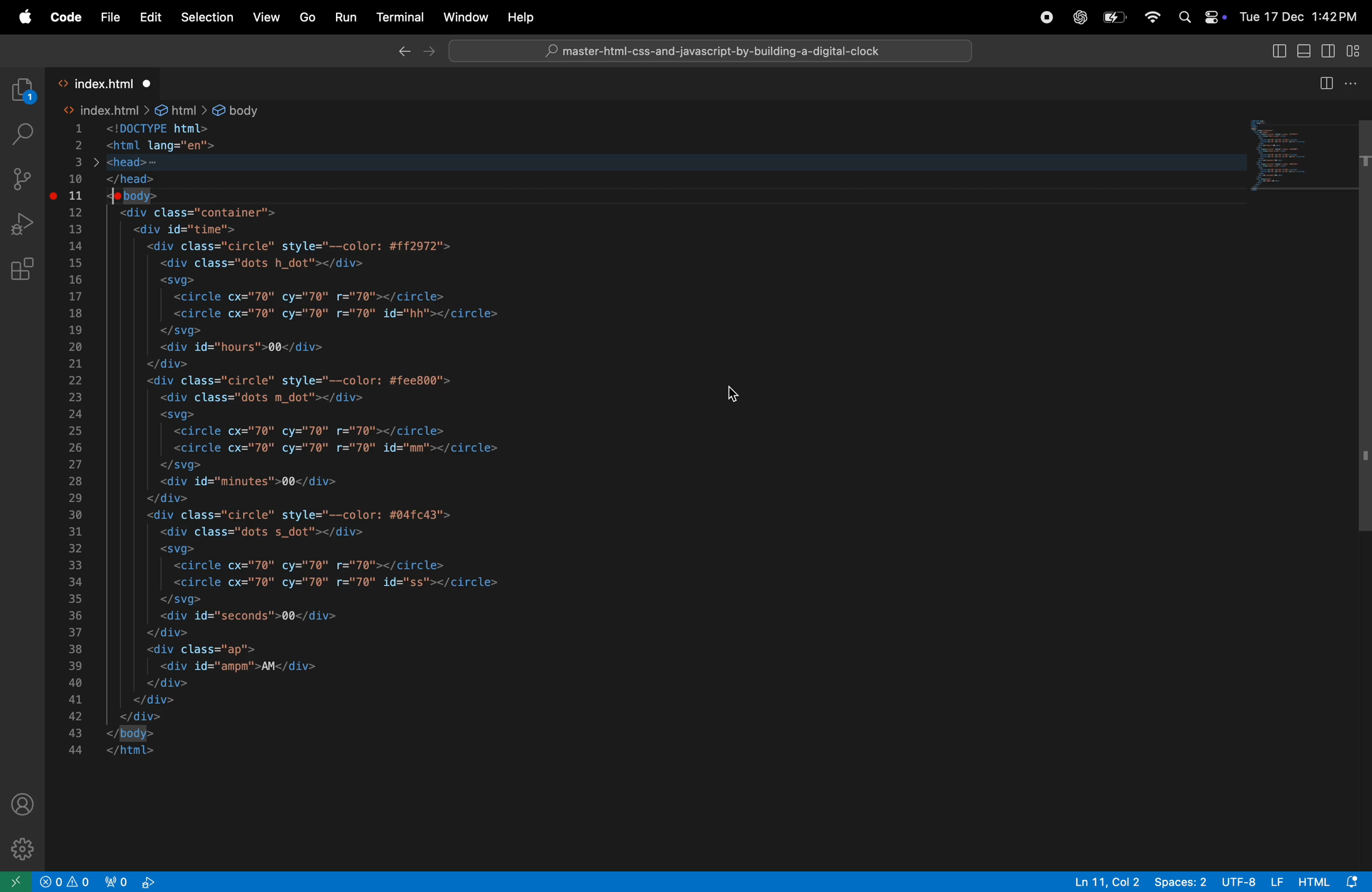 The height and width of the screenshot is (892, 1372). Describe the element at coordinates (401, 17) in the screenshot. I see `terminal` at that location.